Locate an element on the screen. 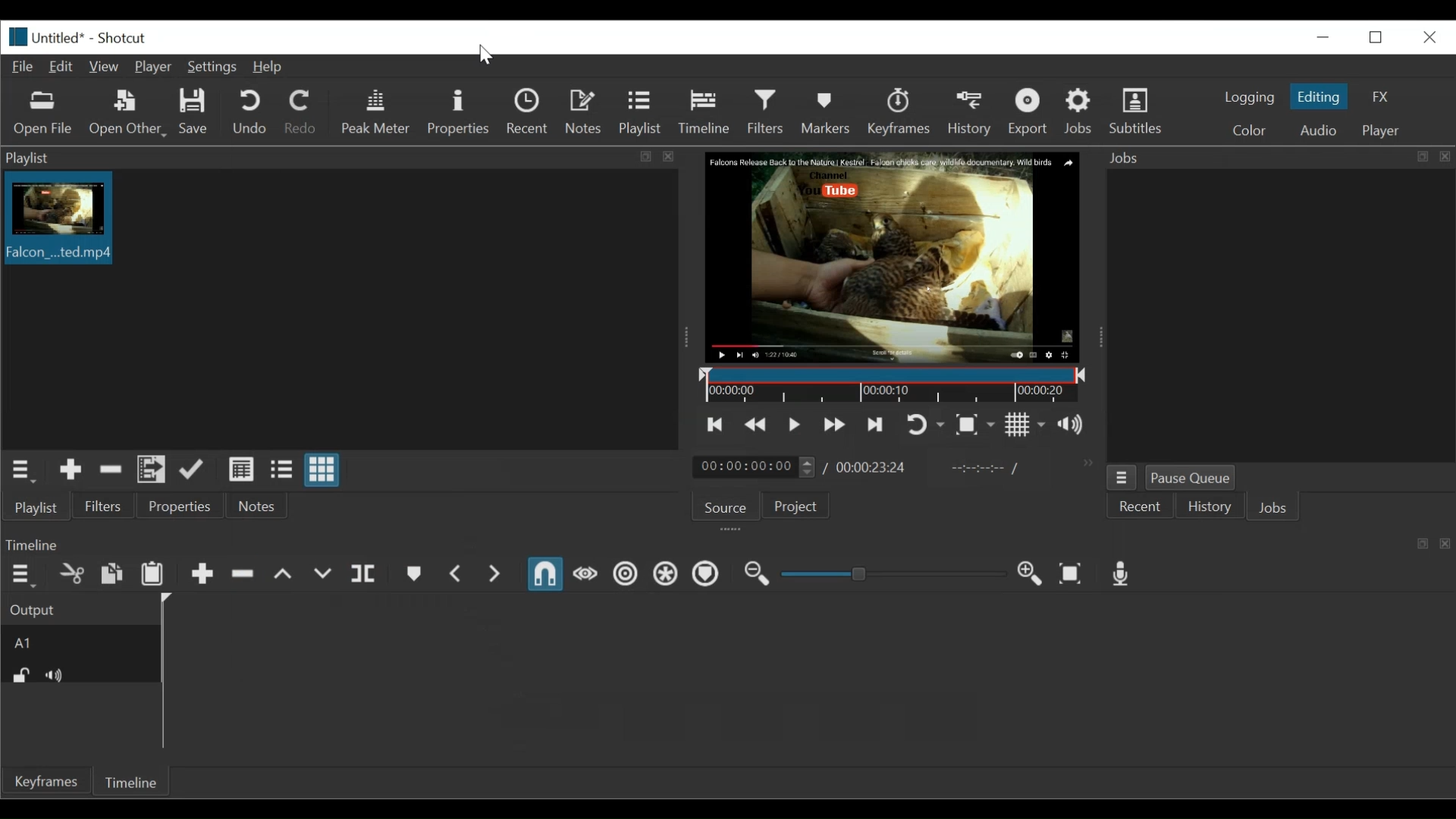 The width and height of the screenshot is (1456, 819). Ripple Delete is located at coordinates (243, 576).